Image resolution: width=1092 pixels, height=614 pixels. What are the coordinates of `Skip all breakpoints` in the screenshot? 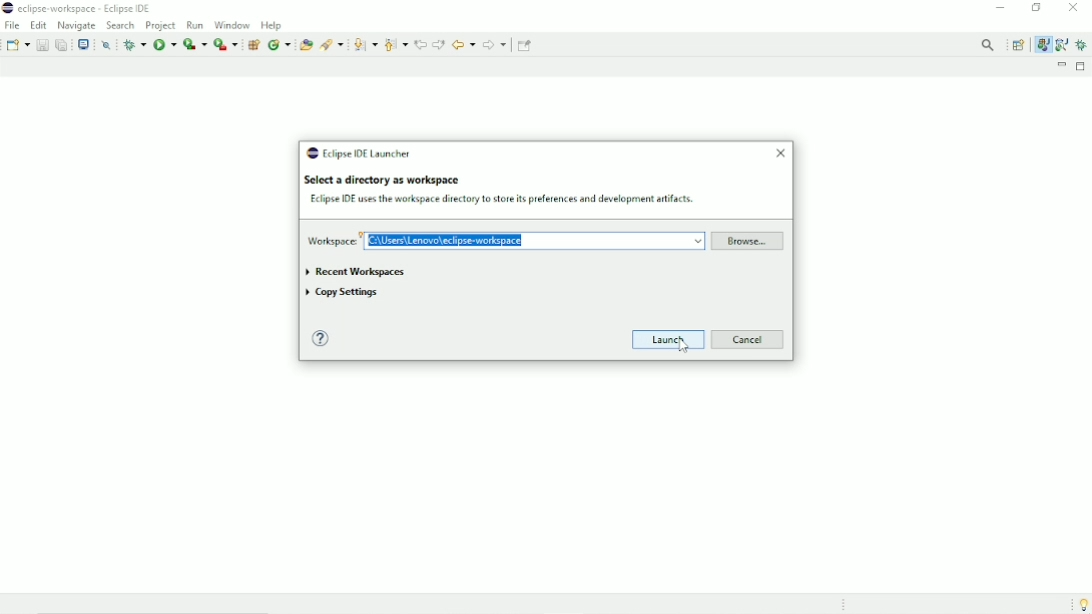 It's located at (106, 45).